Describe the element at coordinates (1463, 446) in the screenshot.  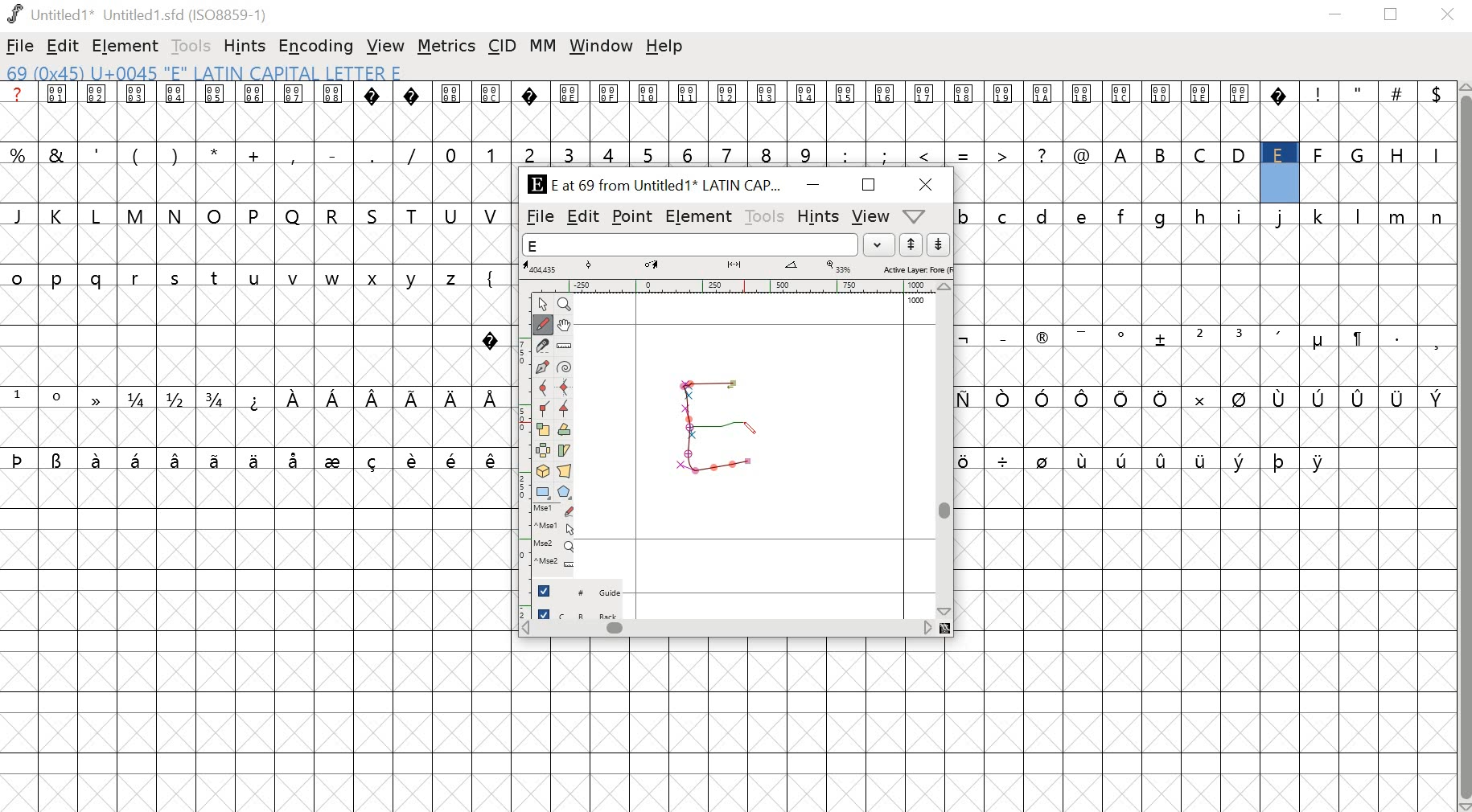
I see `scrollbar` at that location.